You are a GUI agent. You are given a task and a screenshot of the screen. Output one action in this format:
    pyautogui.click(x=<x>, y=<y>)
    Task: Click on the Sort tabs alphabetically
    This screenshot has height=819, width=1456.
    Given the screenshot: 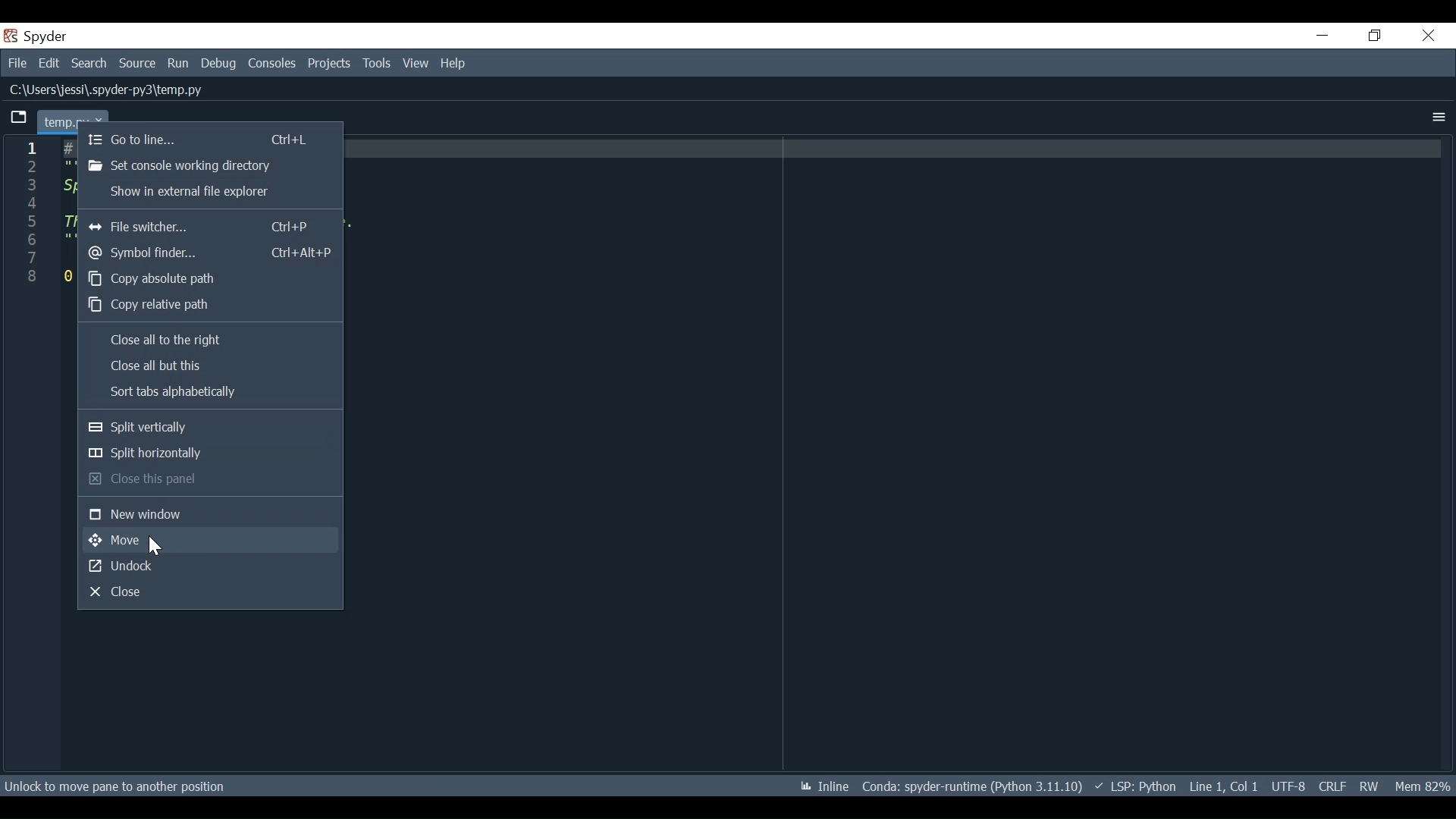 What is the action you would take?
    pyautogui.click(x=209, y=391)
    